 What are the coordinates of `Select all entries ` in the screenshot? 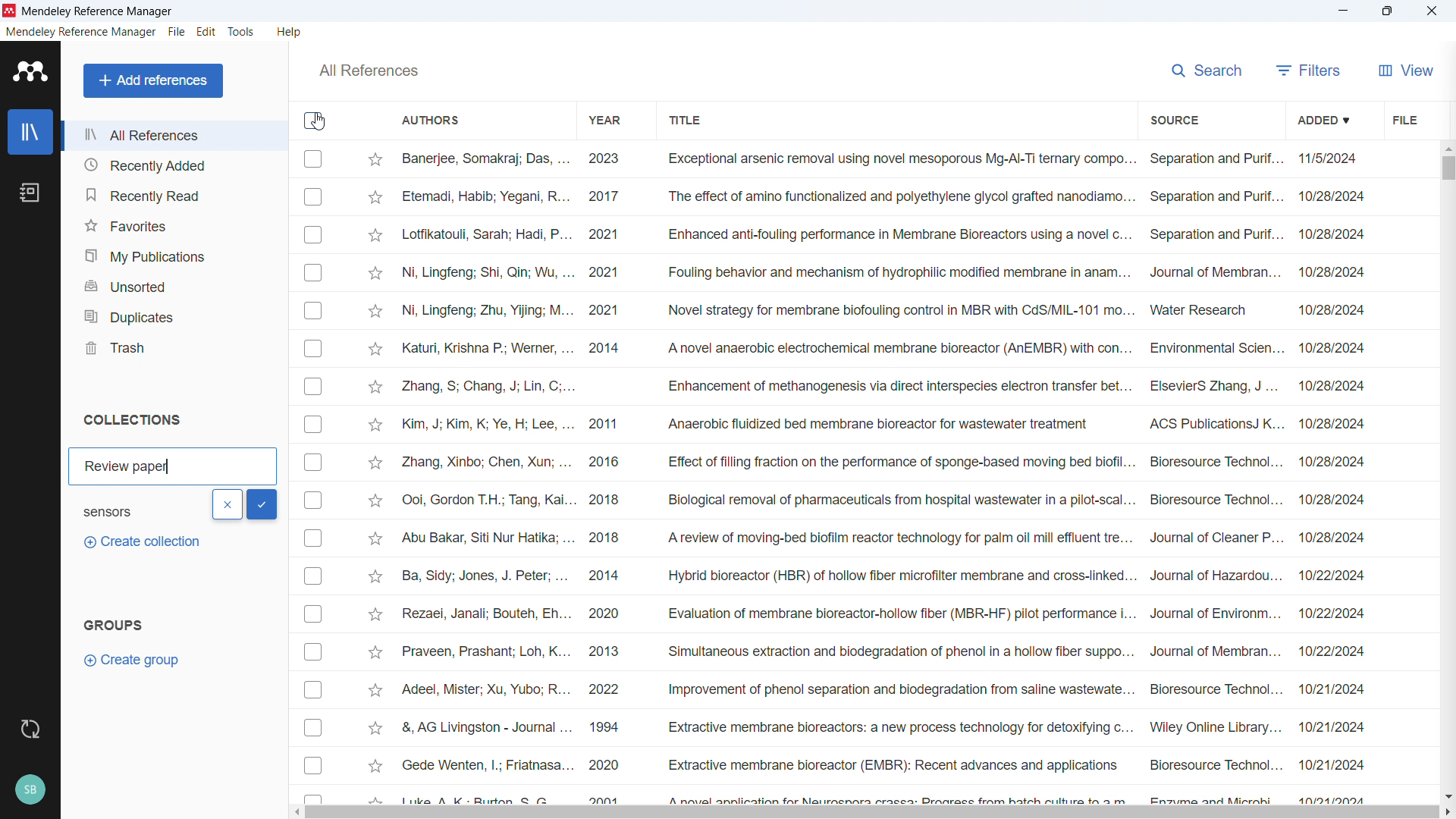 It's located at (314, 121).